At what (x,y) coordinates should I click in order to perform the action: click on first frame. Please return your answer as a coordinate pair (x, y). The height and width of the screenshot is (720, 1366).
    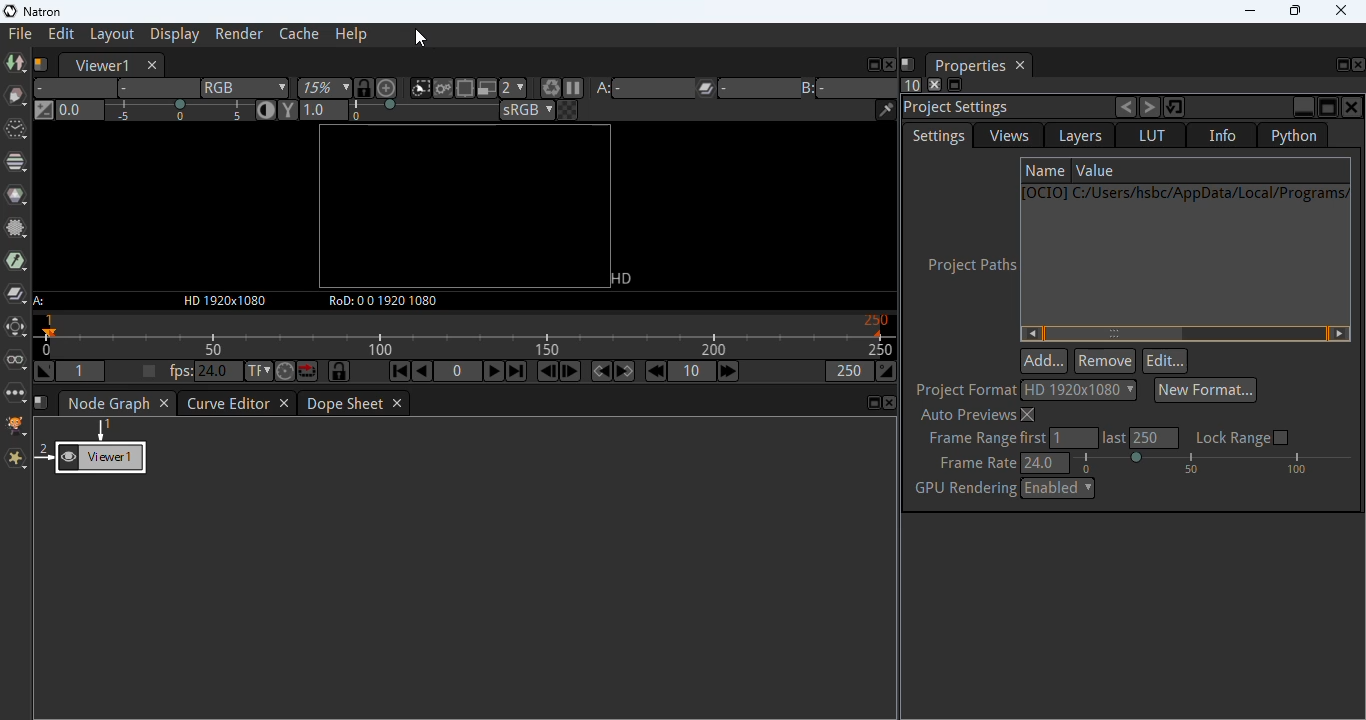
    Looking at the image, I should click on (400, 372).